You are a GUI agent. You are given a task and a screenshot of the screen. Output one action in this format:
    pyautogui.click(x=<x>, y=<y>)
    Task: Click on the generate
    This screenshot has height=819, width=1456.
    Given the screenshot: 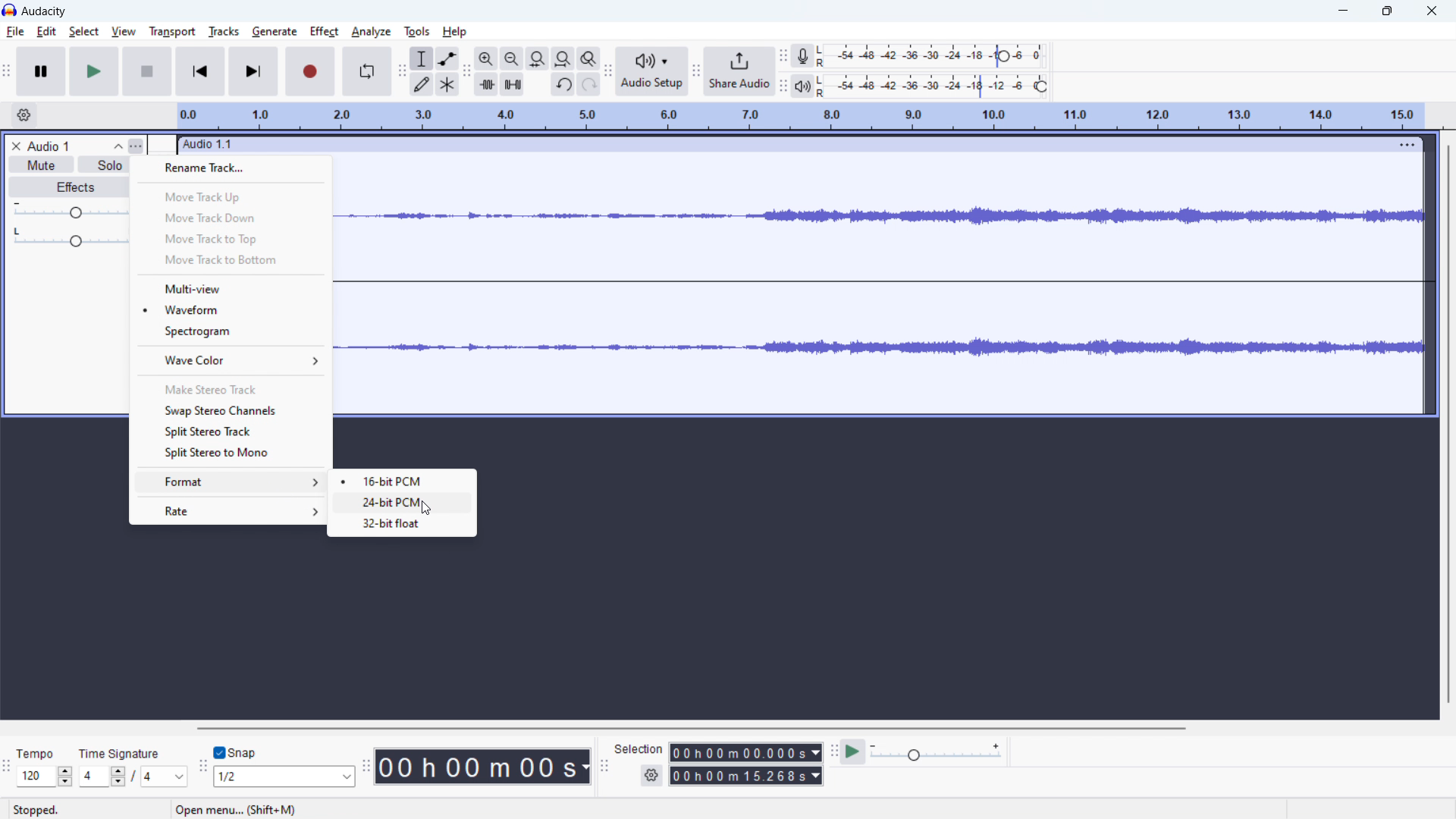 What is the action you would take?
    pyautogui.click(x=275, y=32)
    